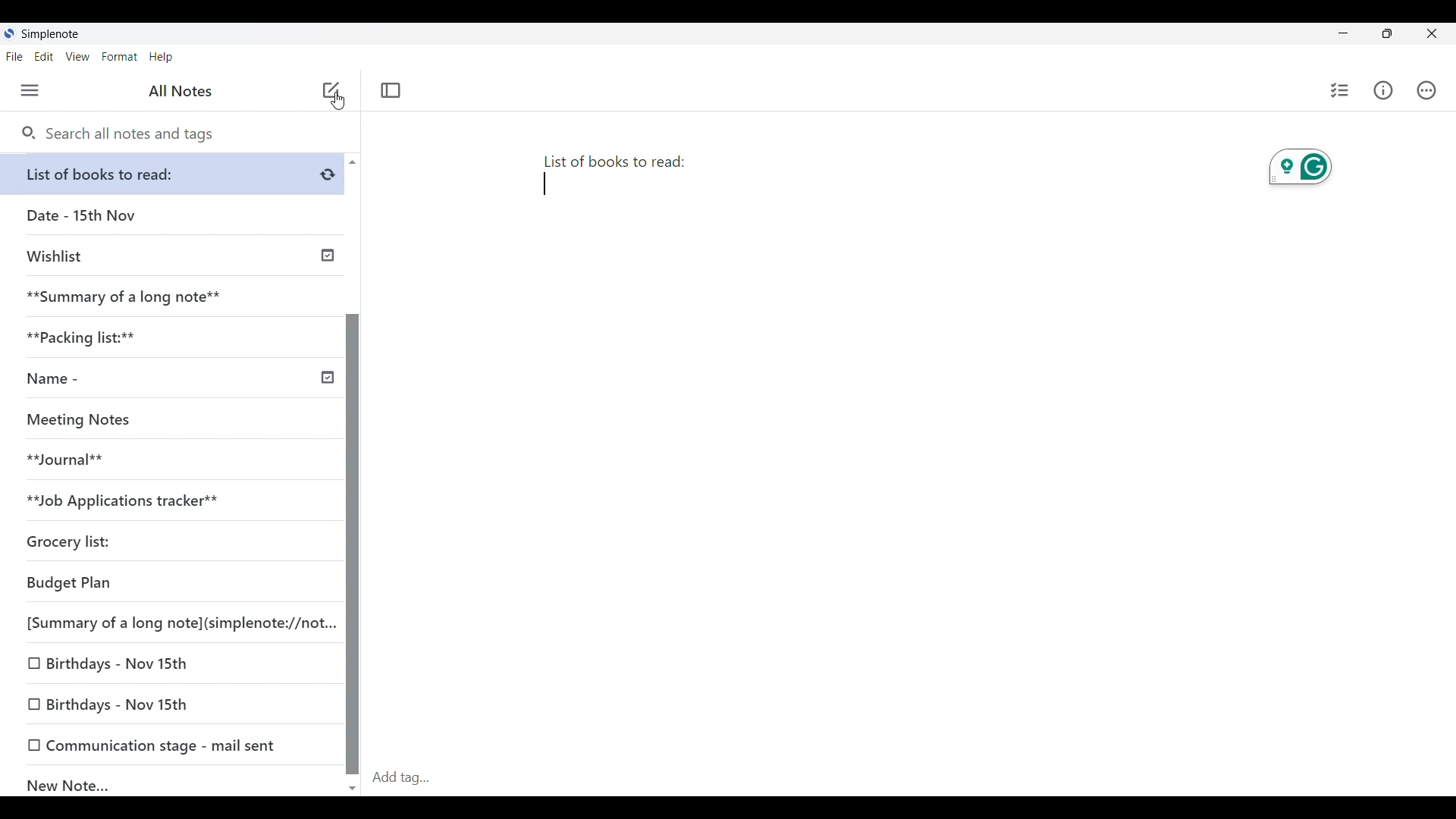  What do you see at coordinates (168, 460) in the screenshot?
I see `**Journal**` at bounding box center [168, 460].